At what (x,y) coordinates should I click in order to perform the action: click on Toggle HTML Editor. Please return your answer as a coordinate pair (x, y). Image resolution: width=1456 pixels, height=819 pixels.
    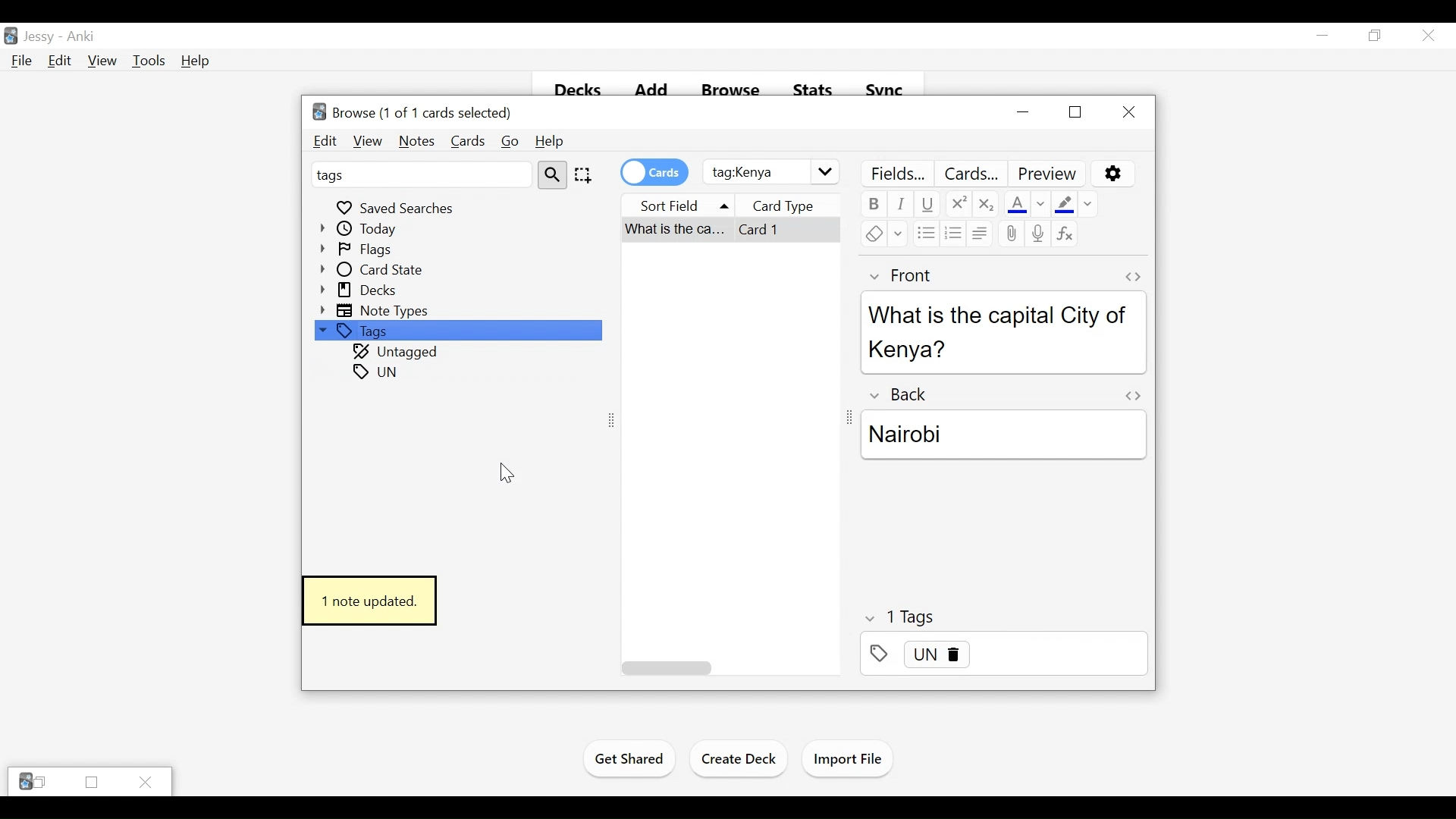
    Looking at the image, I should click on (1132, 395).